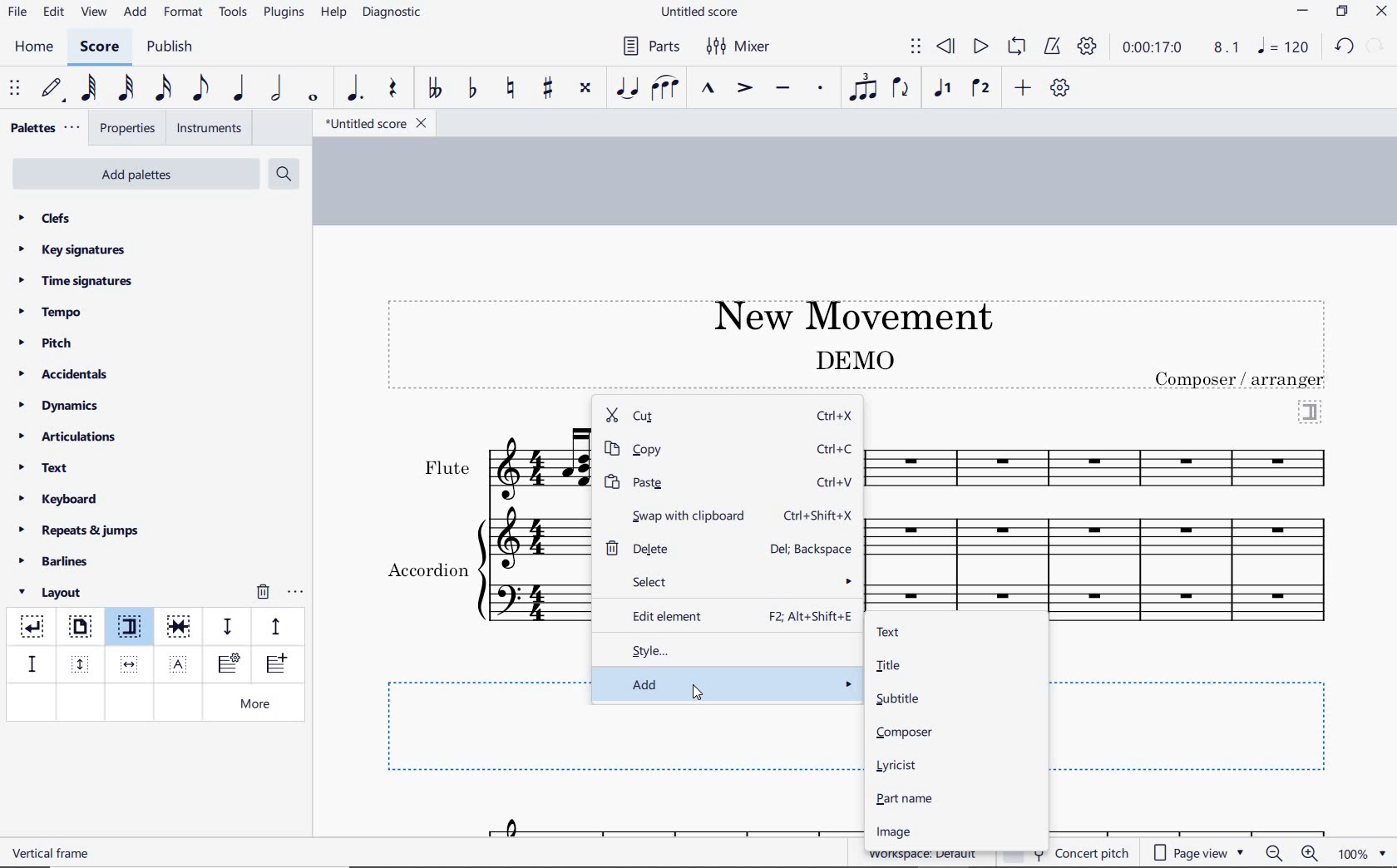  What do you see at coordinates (1025, 87) in the screenshot?
I see `add` at bounding box center [1025, 87].